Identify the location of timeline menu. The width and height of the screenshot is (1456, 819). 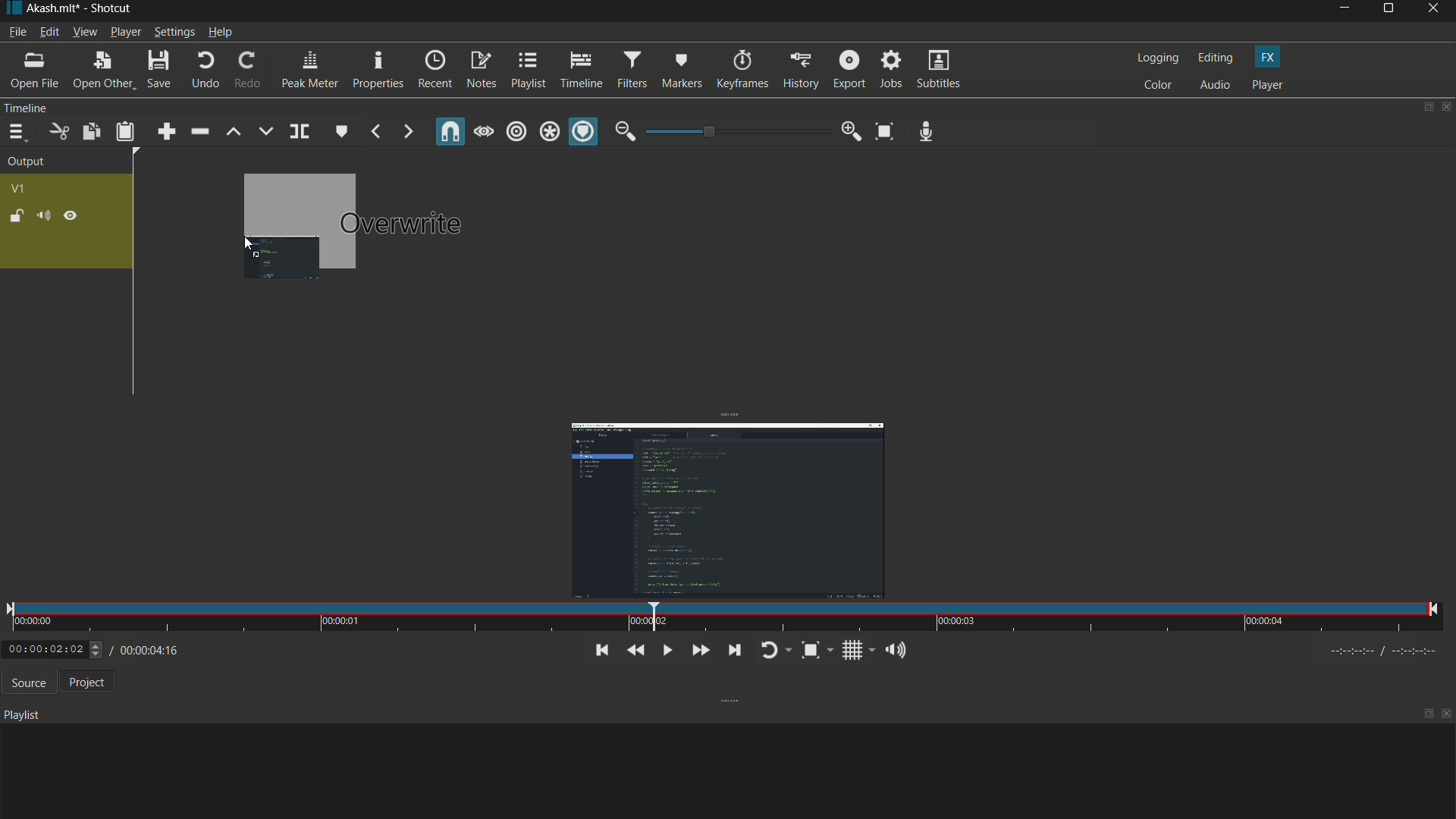
(16, 132).